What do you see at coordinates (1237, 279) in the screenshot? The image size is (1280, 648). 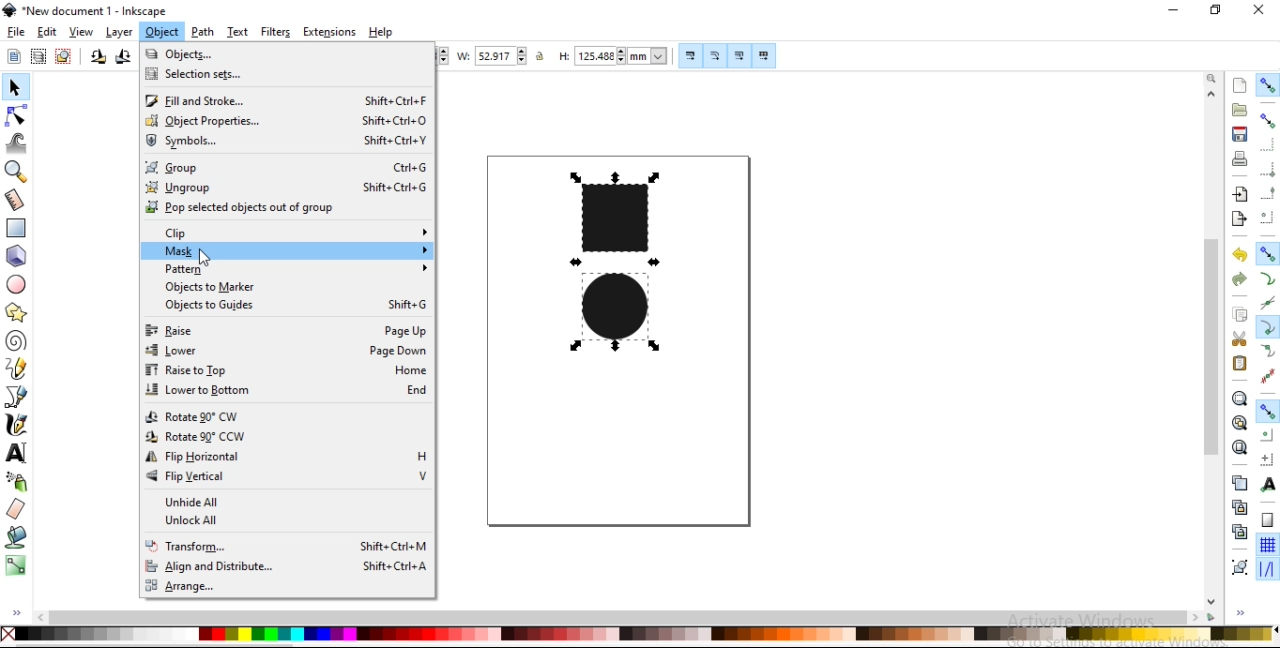 I see `redo` at bounding box center [1237, 279].